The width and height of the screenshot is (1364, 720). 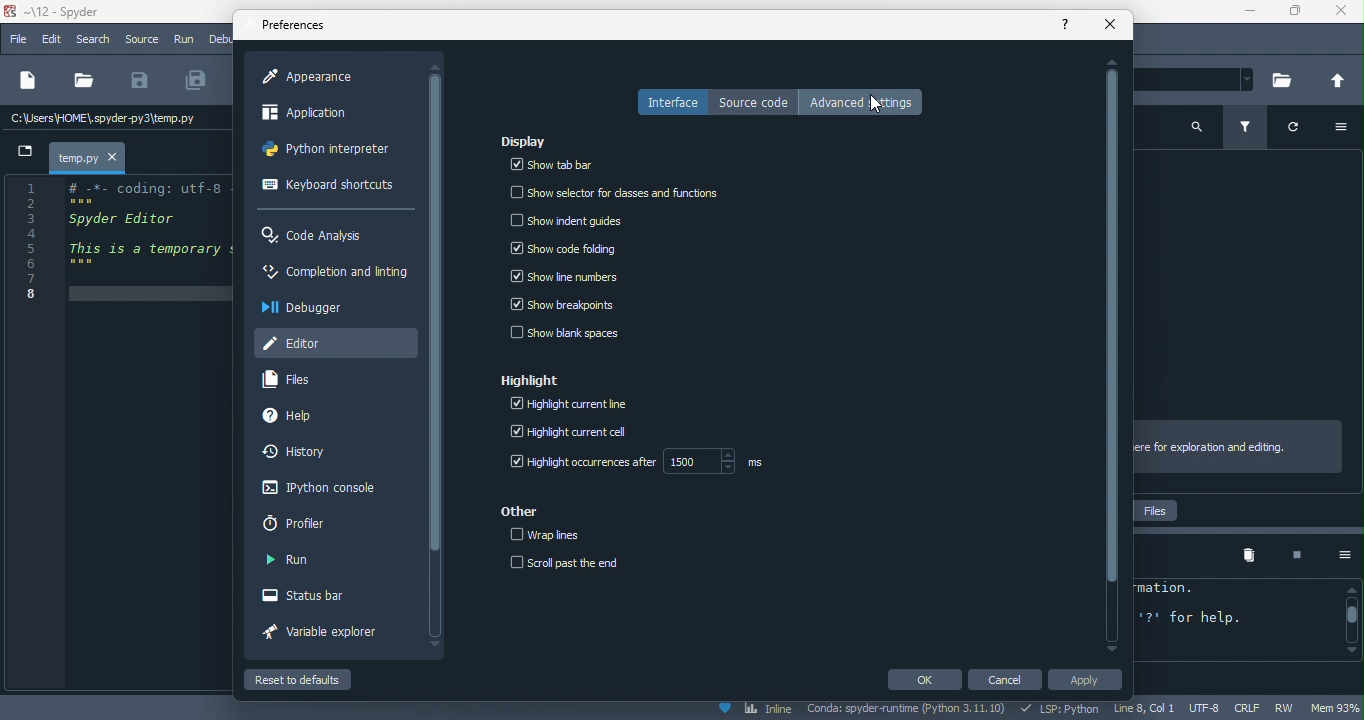 I want to click on appearance, so click(x=318, y=77).